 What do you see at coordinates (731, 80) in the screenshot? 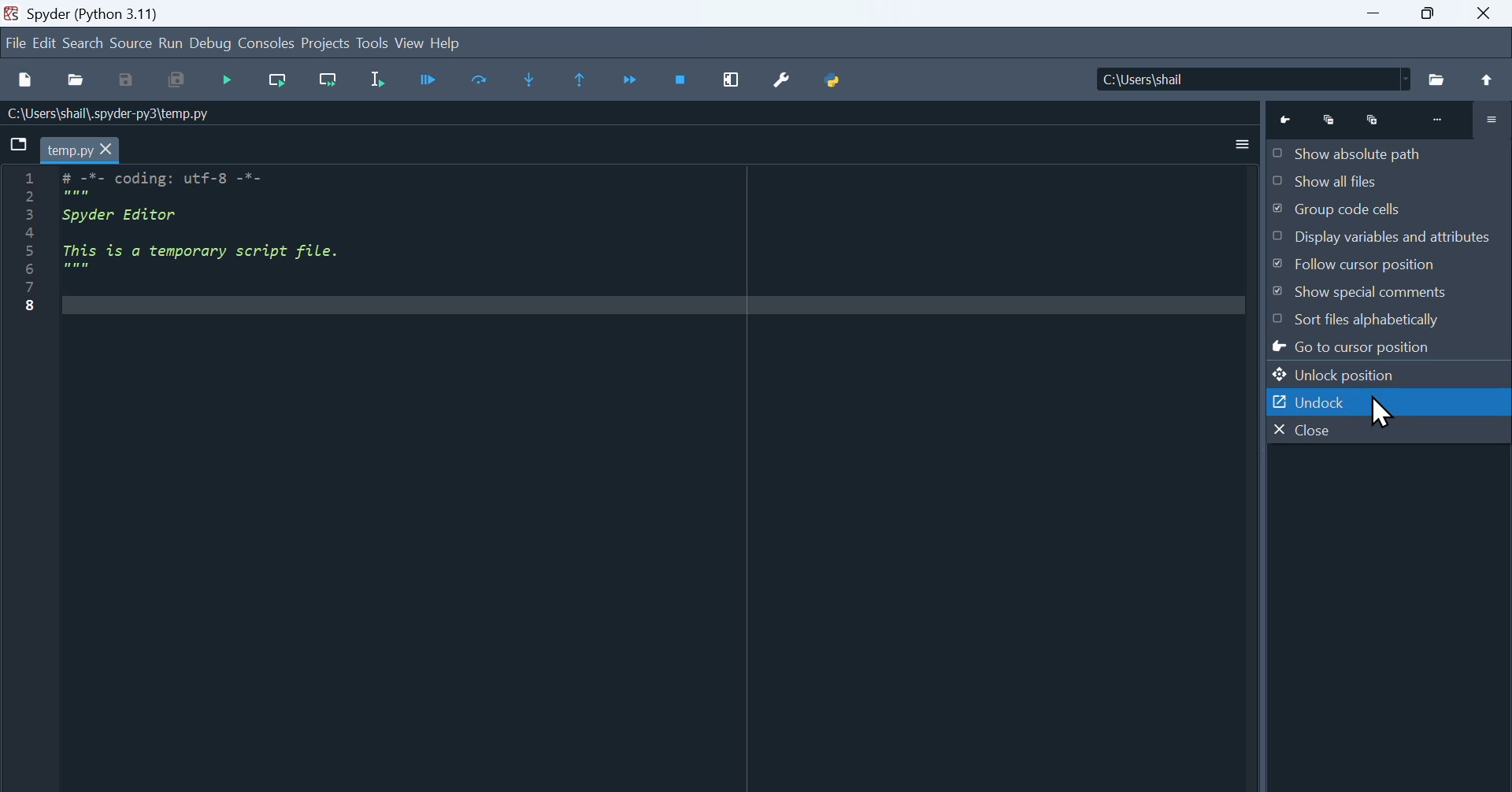
I see `Maximise current window` at bounding box center [731, 80].